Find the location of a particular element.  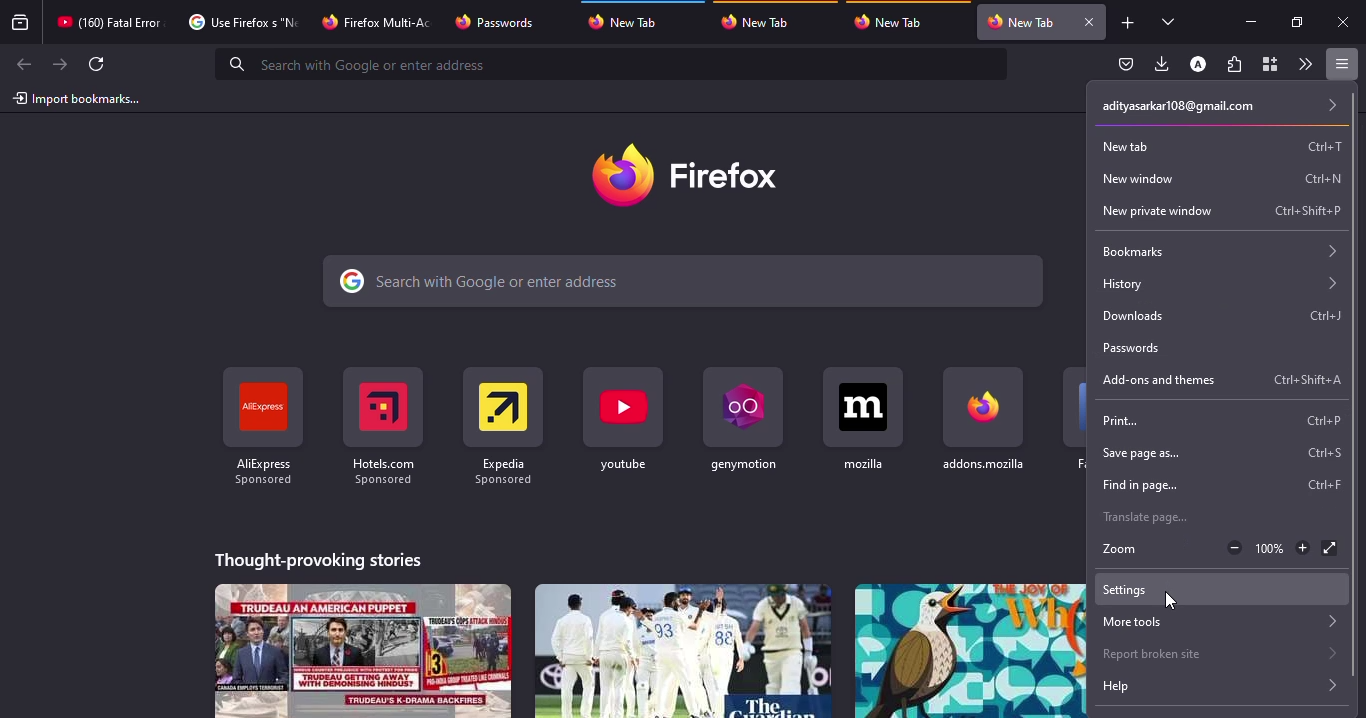

stories is located at coordinates (320, 557).